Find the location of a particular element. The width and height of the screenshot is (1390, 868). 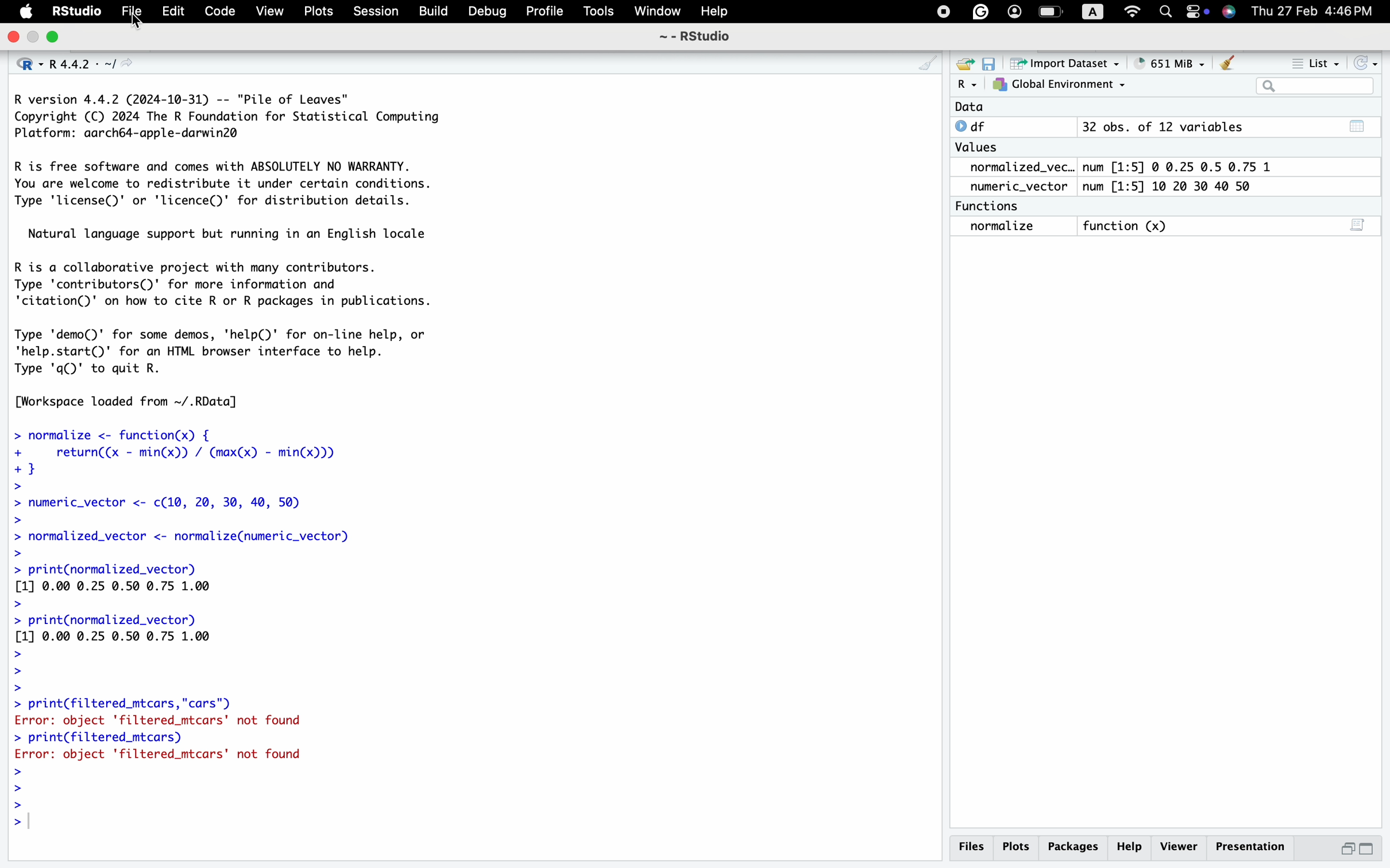

user is located at coordinates (1018, 12).